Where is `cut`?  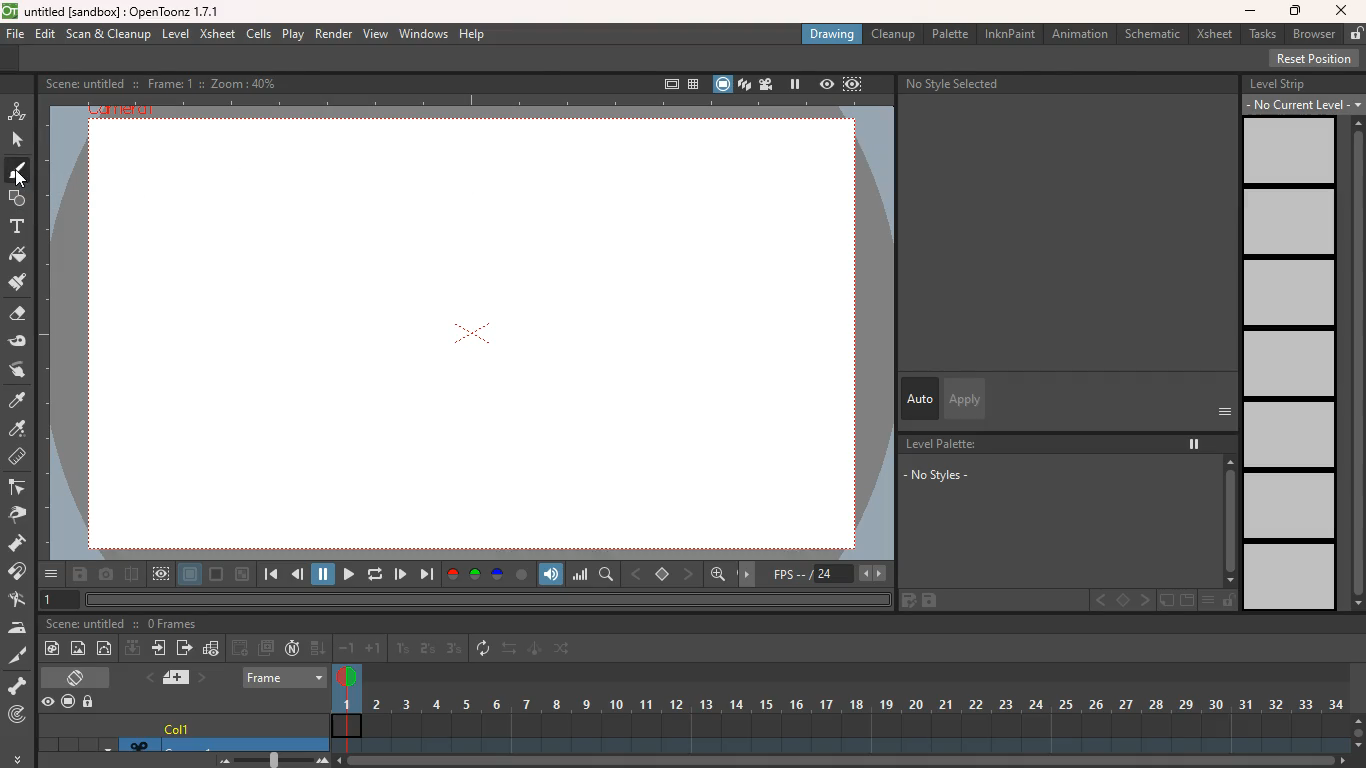
cut is located at coordinates (15, 654).